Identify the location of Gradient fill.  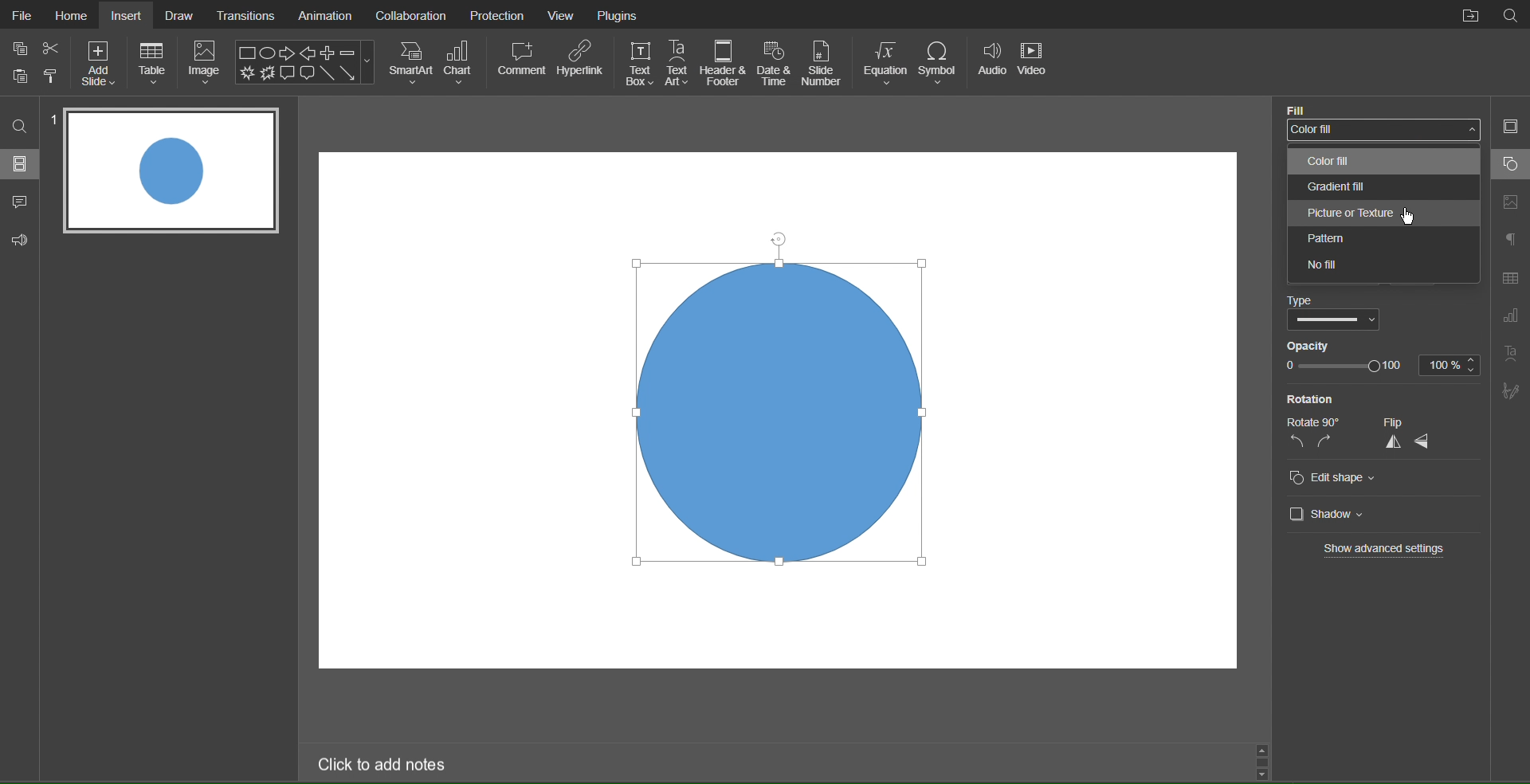
(1379, 190).